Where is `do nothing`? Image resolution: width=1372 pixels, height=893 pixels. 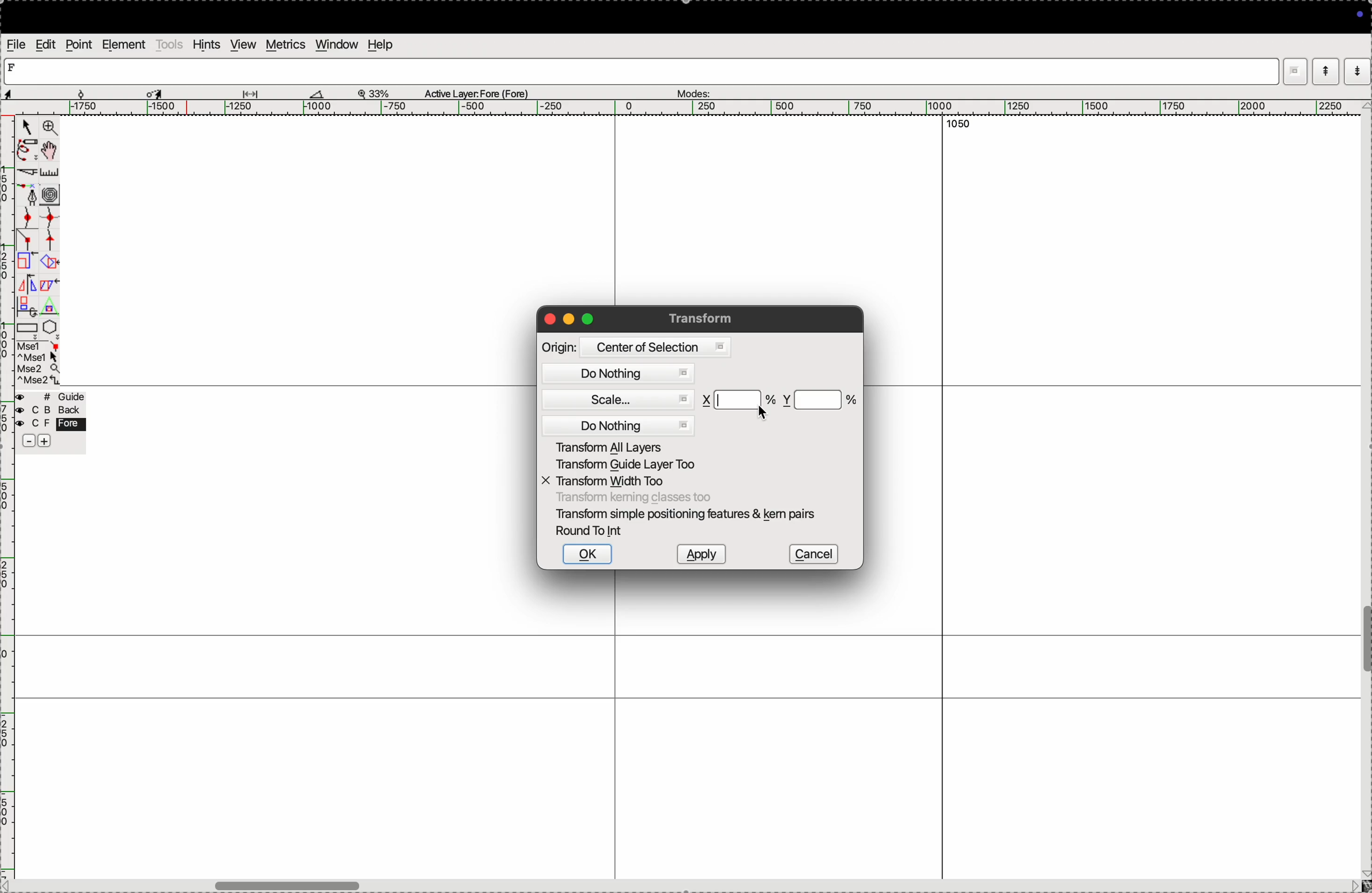 do nothing is located at coordinates (621, 374).